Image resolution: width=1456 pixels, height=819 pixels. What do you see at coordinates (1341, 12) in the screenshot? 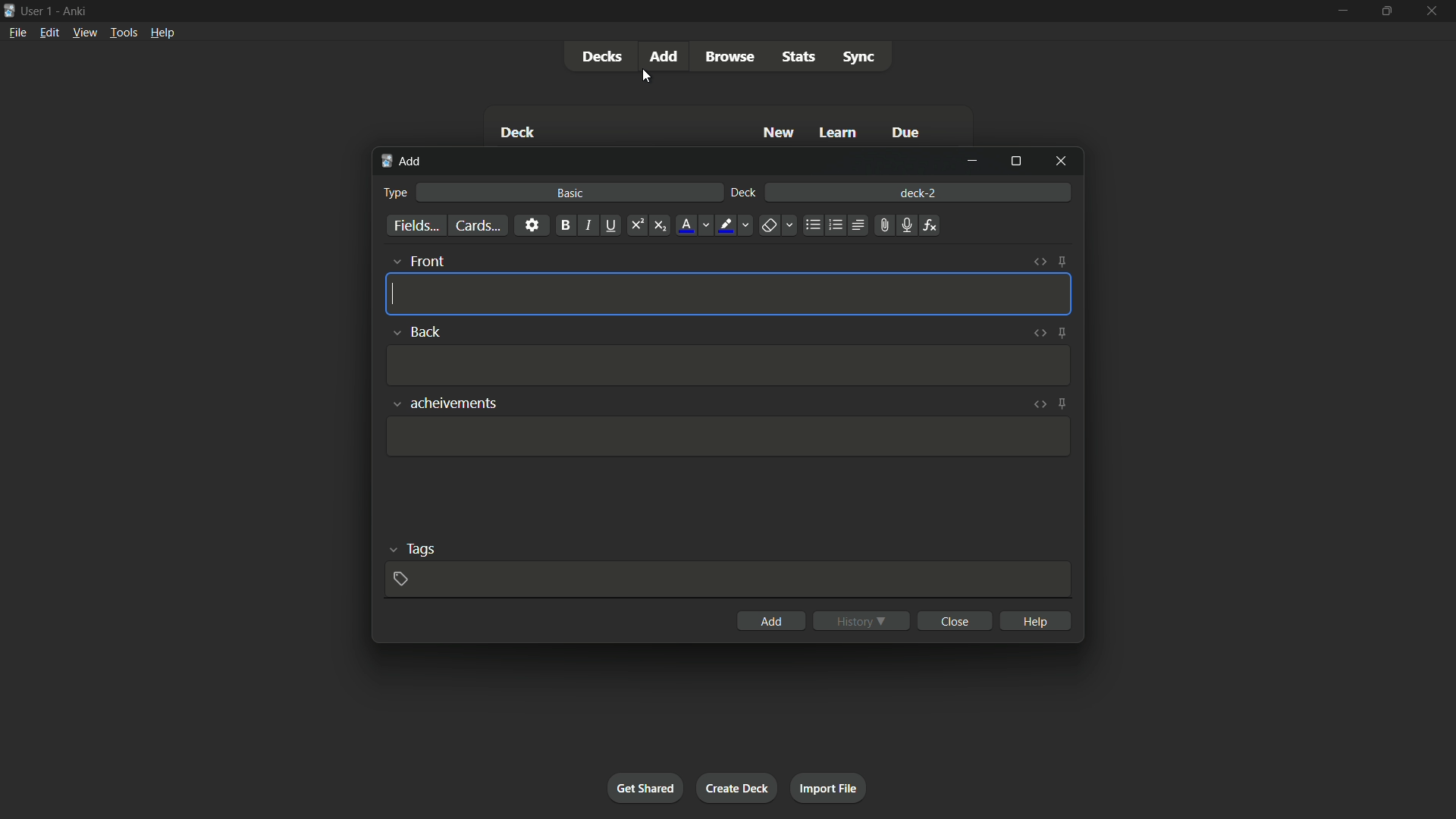
I see `minimize` at bounding box center [1341, 12].